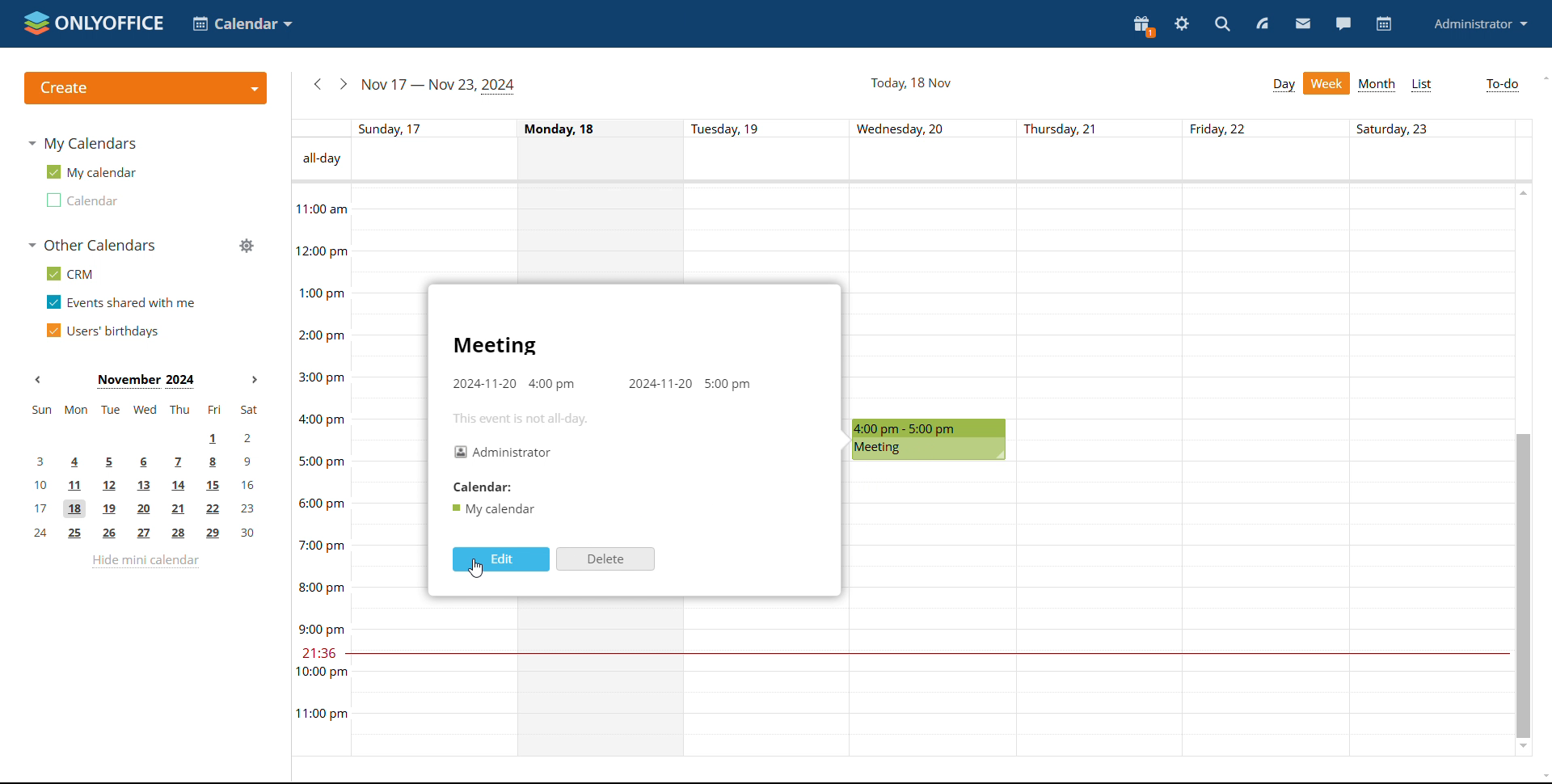  I want to click on current date, so click(909, 83).